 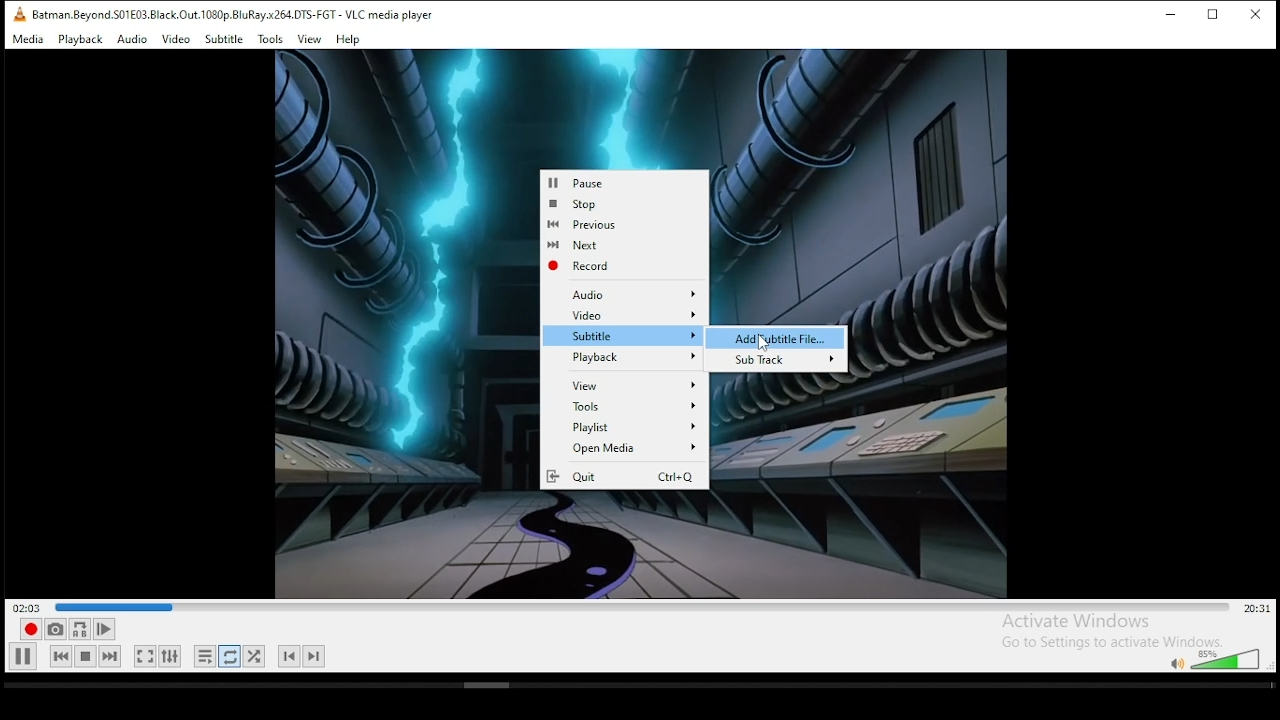 What do you see at coordinates (23, 657) in the screenshot?
I see `play/pause` at bounding box center [23, 657].